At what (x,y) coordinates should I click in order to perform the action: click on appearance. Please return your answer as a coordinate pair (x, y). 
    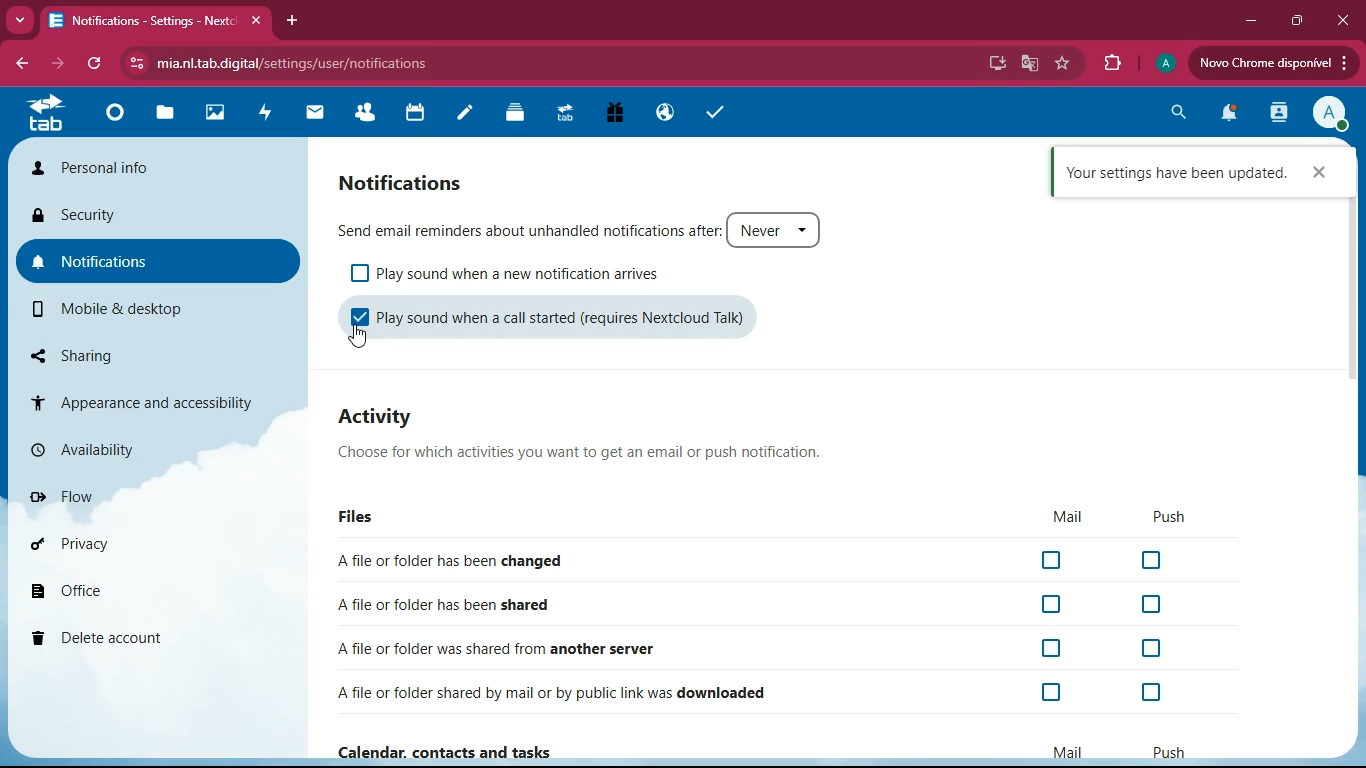
    Looking at the image, I should click on (142, 397).